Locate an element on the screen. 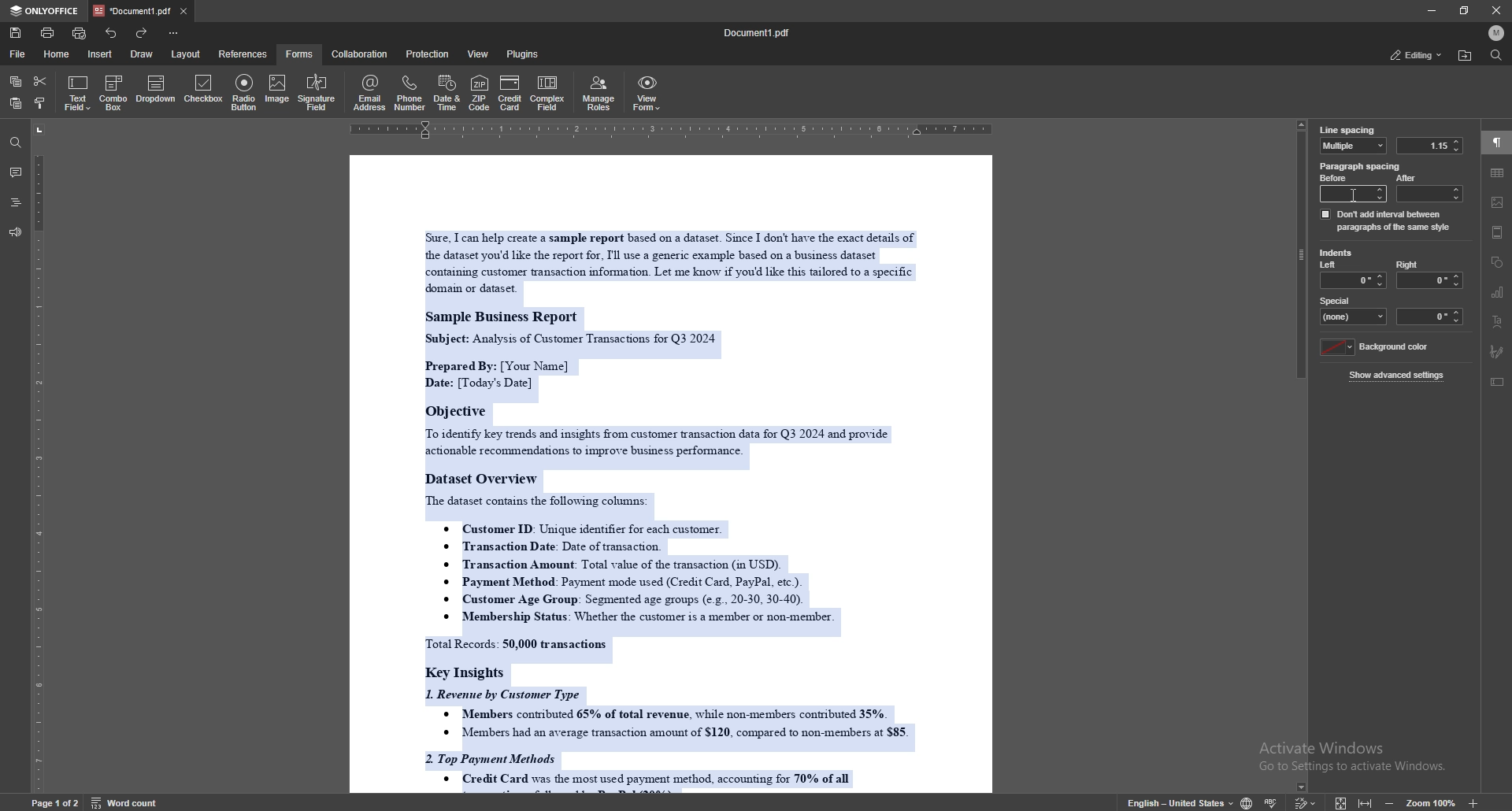  zoom out is located at coordinates (1392, 801).